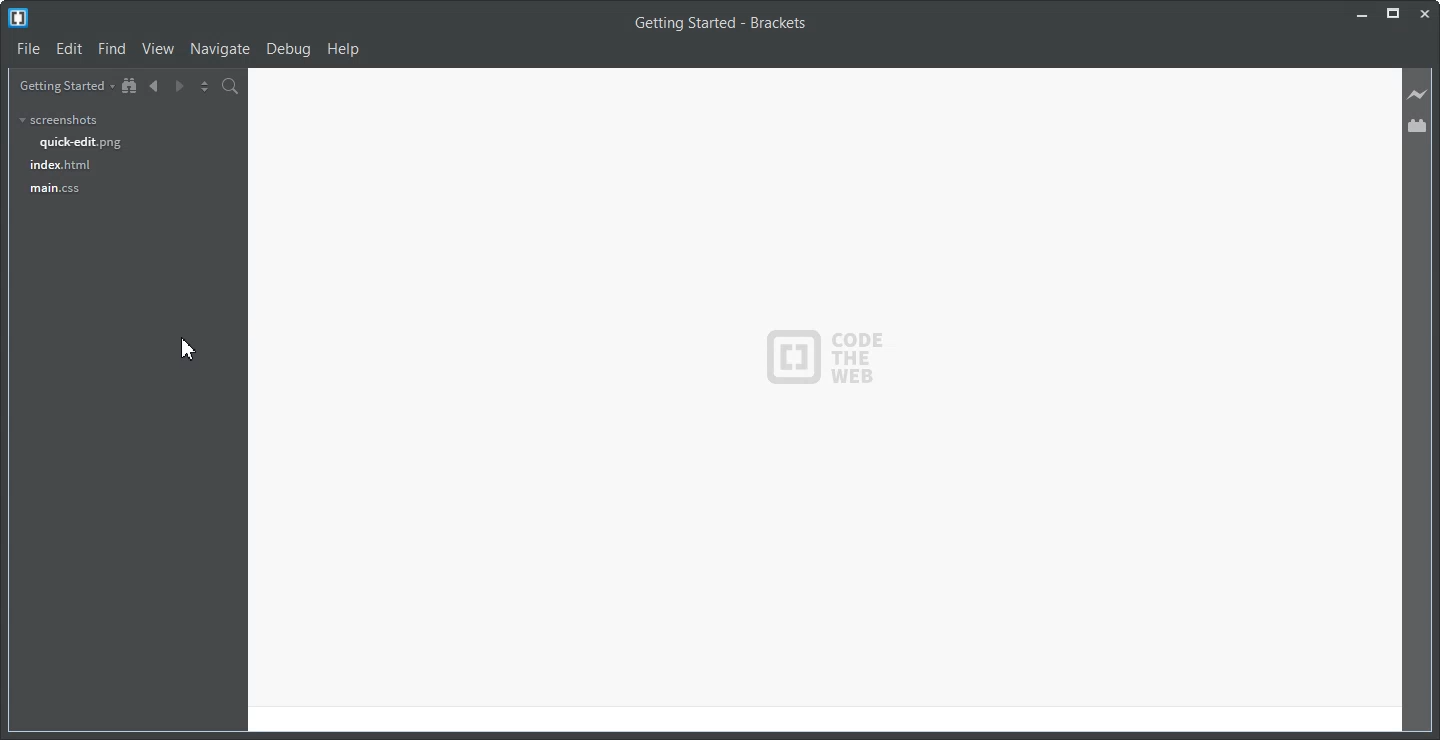 Image resolution: width=1440 pixels, height=740 pixels. I want to click on Logo, so click(18, 18).